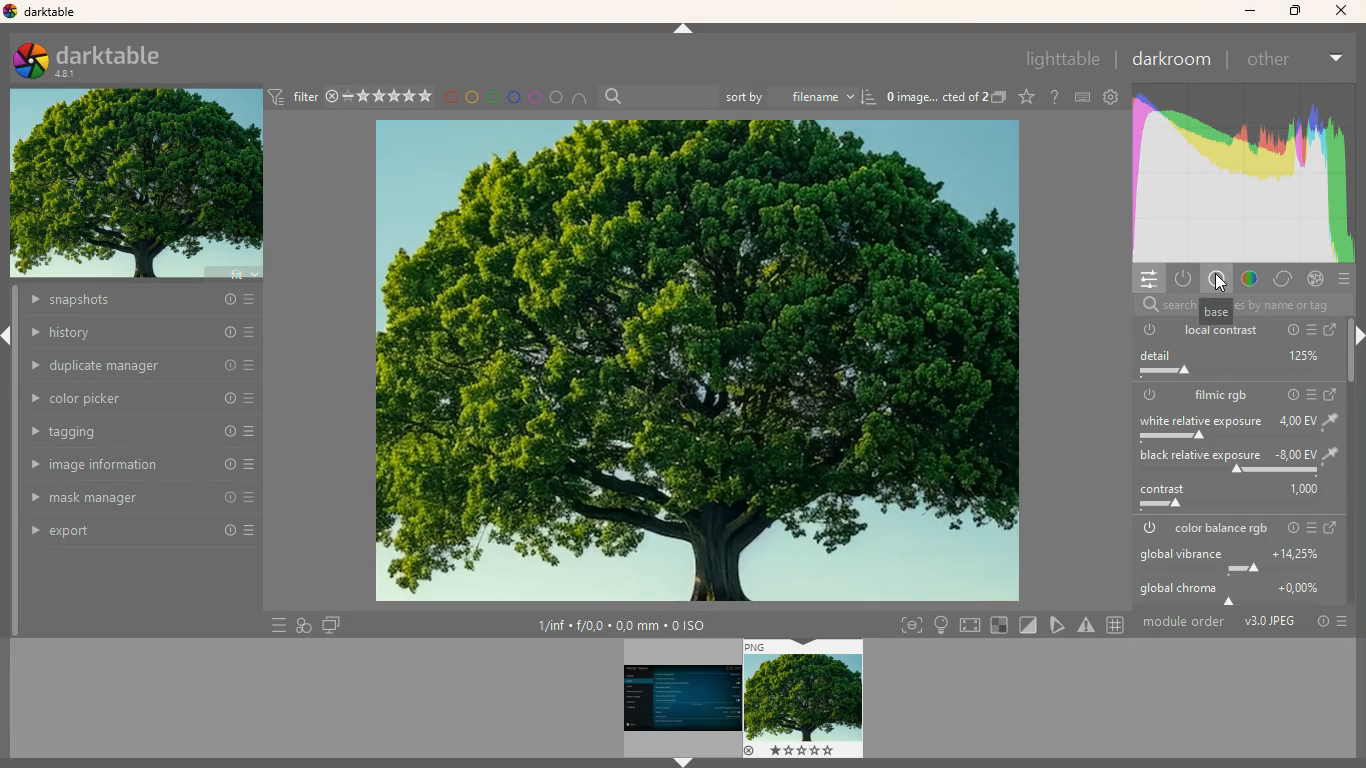  What do you see at coordinates (144, 433) in the screenshot?
I see `tagging` at bounding box center [144, 433].